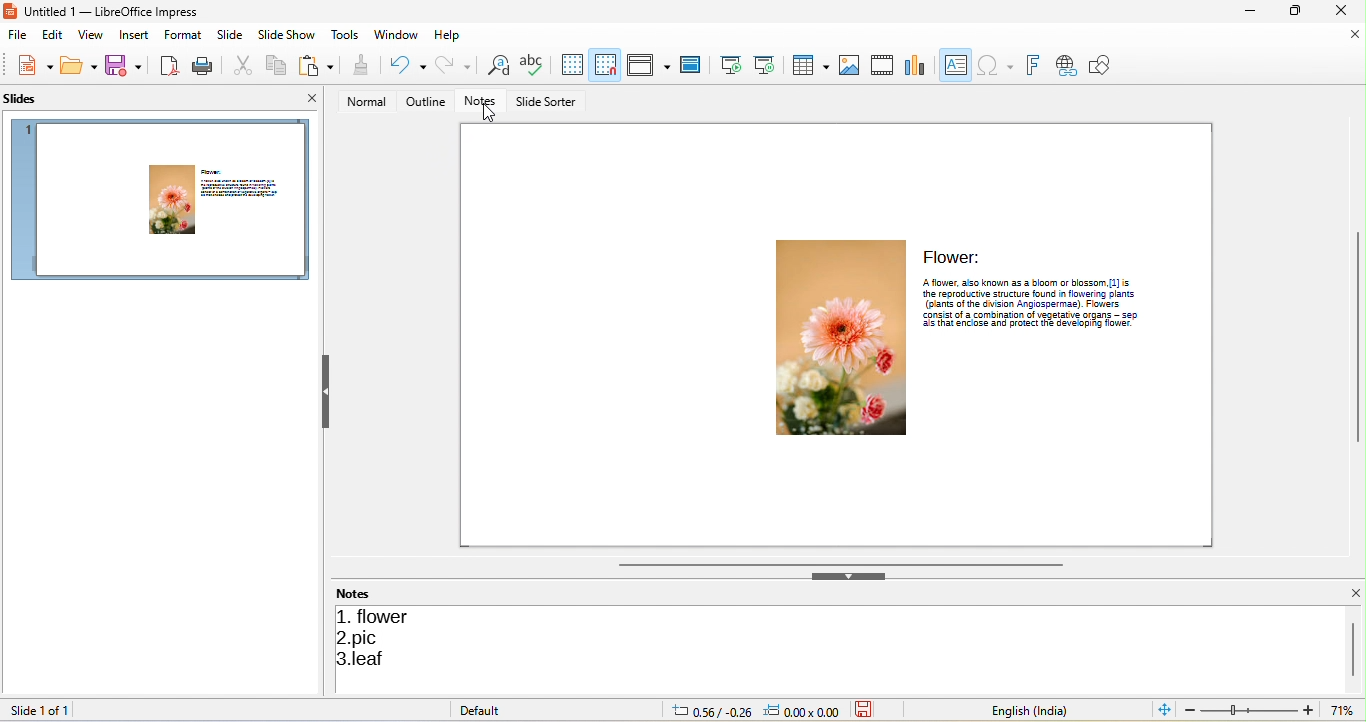 The height and width of the screenshot is (722, 1366). What do you see at coordinates (35, 65) in the screenshot?
I see `new` at bounding box center [35, 65].